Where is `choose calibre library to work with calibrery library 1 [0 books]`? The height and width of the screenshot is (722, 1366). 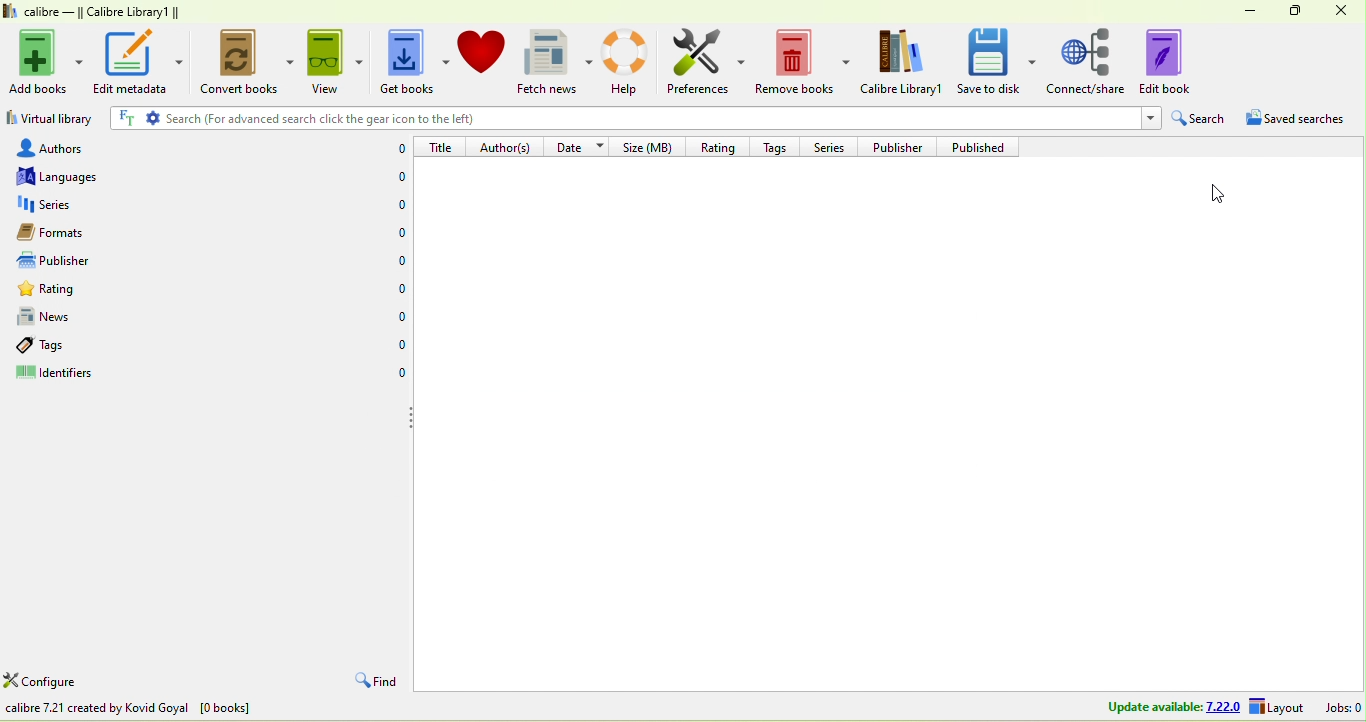
choose calibre library to work with calibrery library 1 [0 books] is located at coordinates (197, 710).